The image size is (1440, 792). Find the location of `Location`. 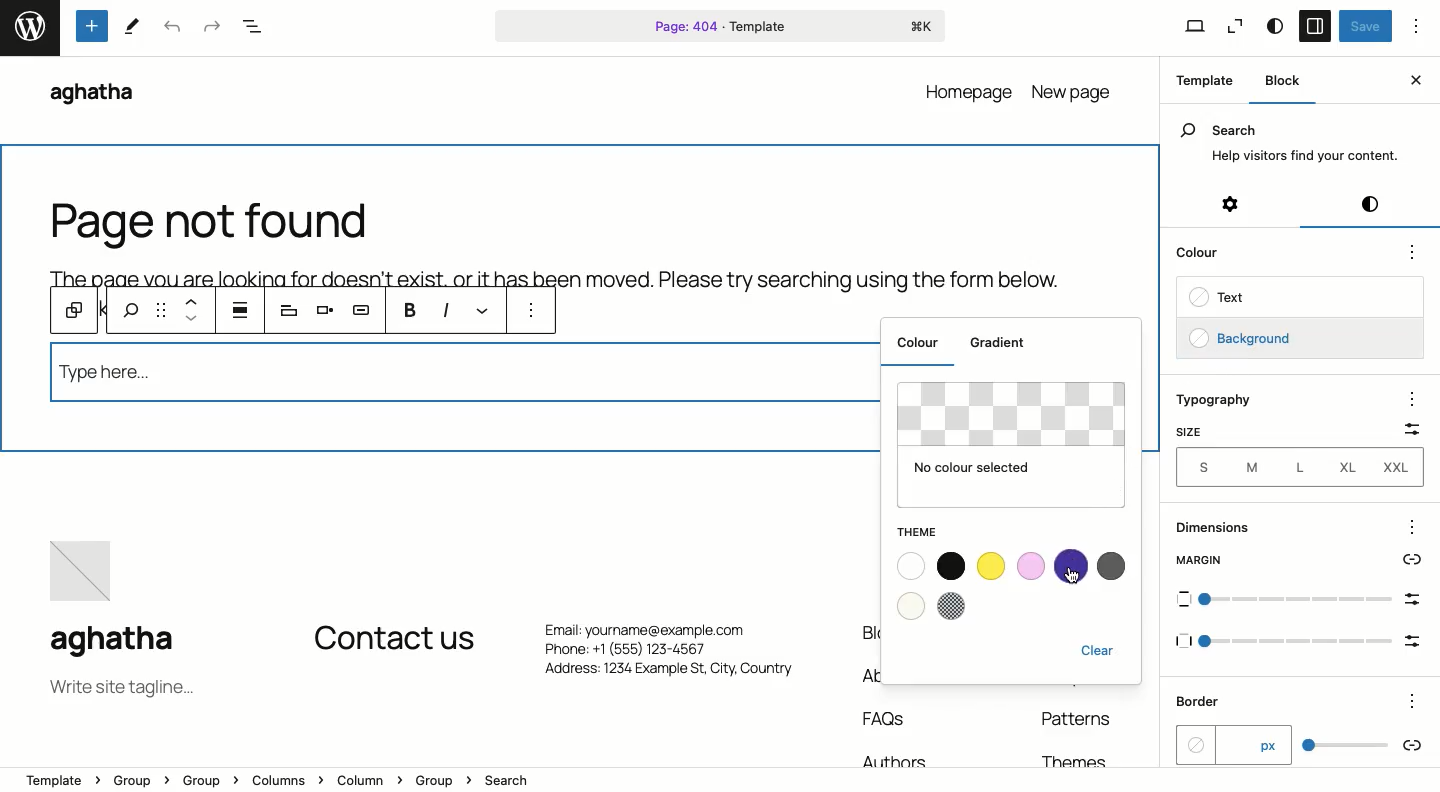

Location is located at coordinates (721, 782).